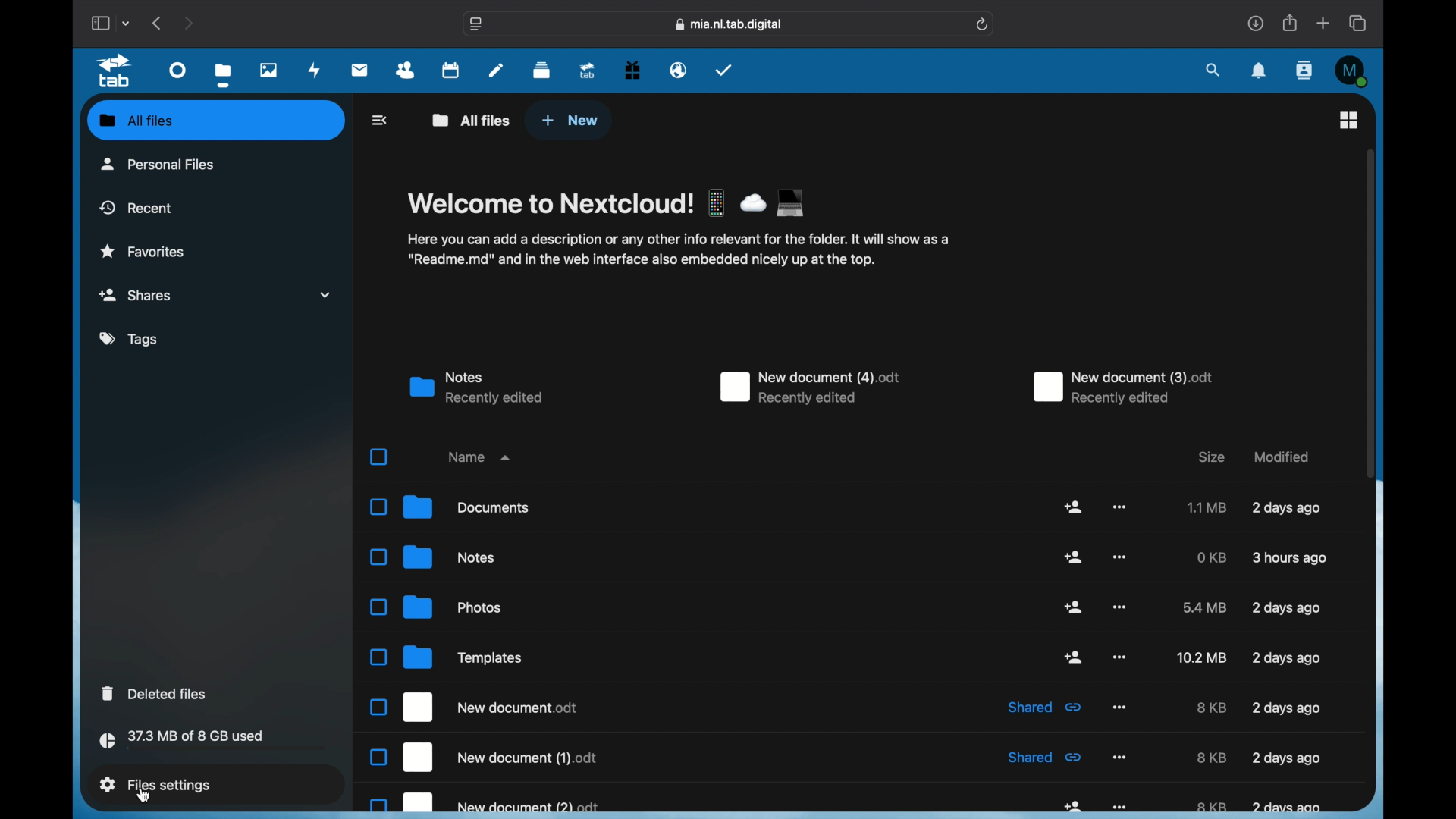 Image resolution: width=1456 pixels, height=819 pixels. I want to click on notes, so click(475, 388).